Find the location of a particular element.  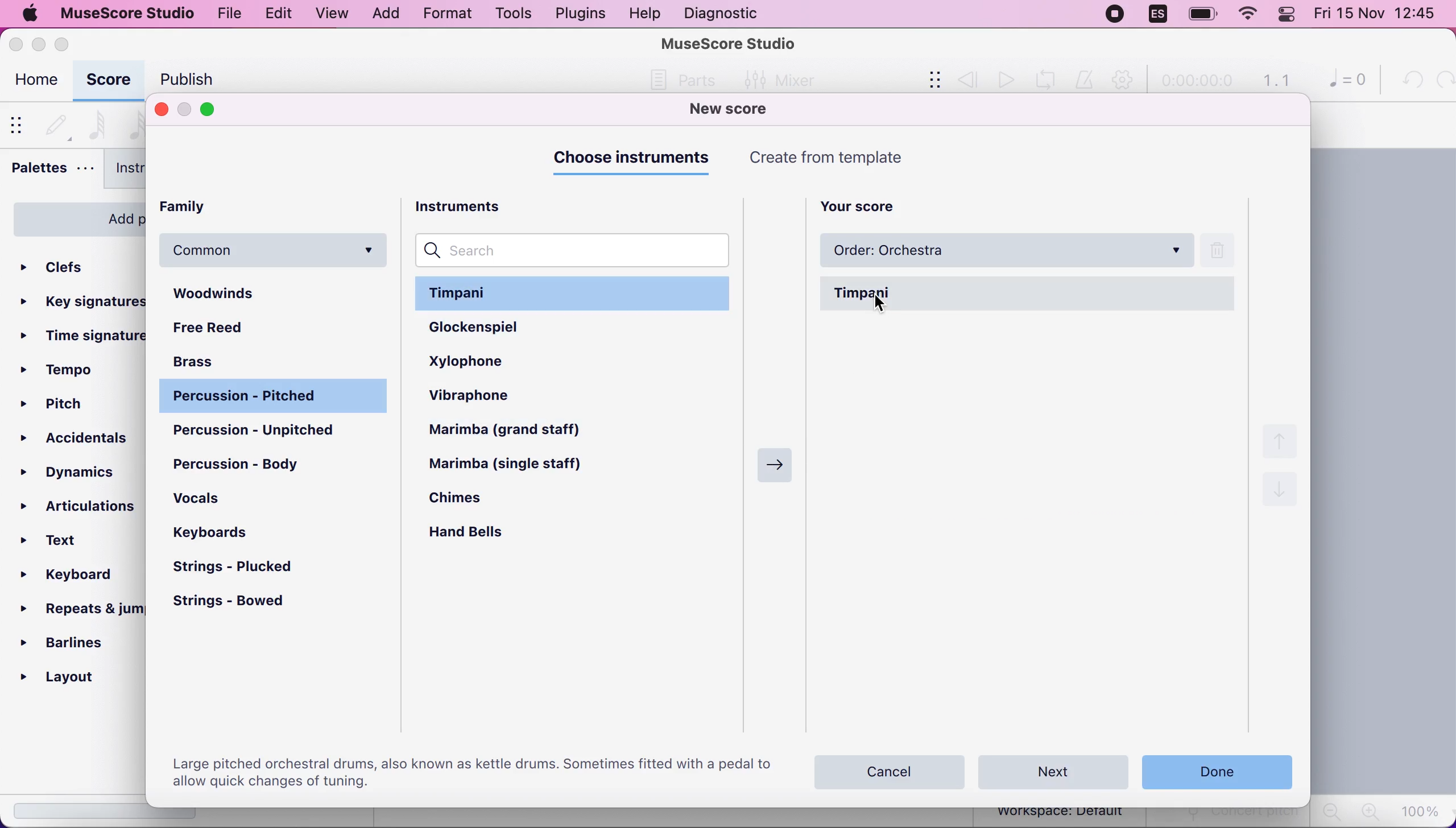

dynamics is located at coordinates (78, 470).